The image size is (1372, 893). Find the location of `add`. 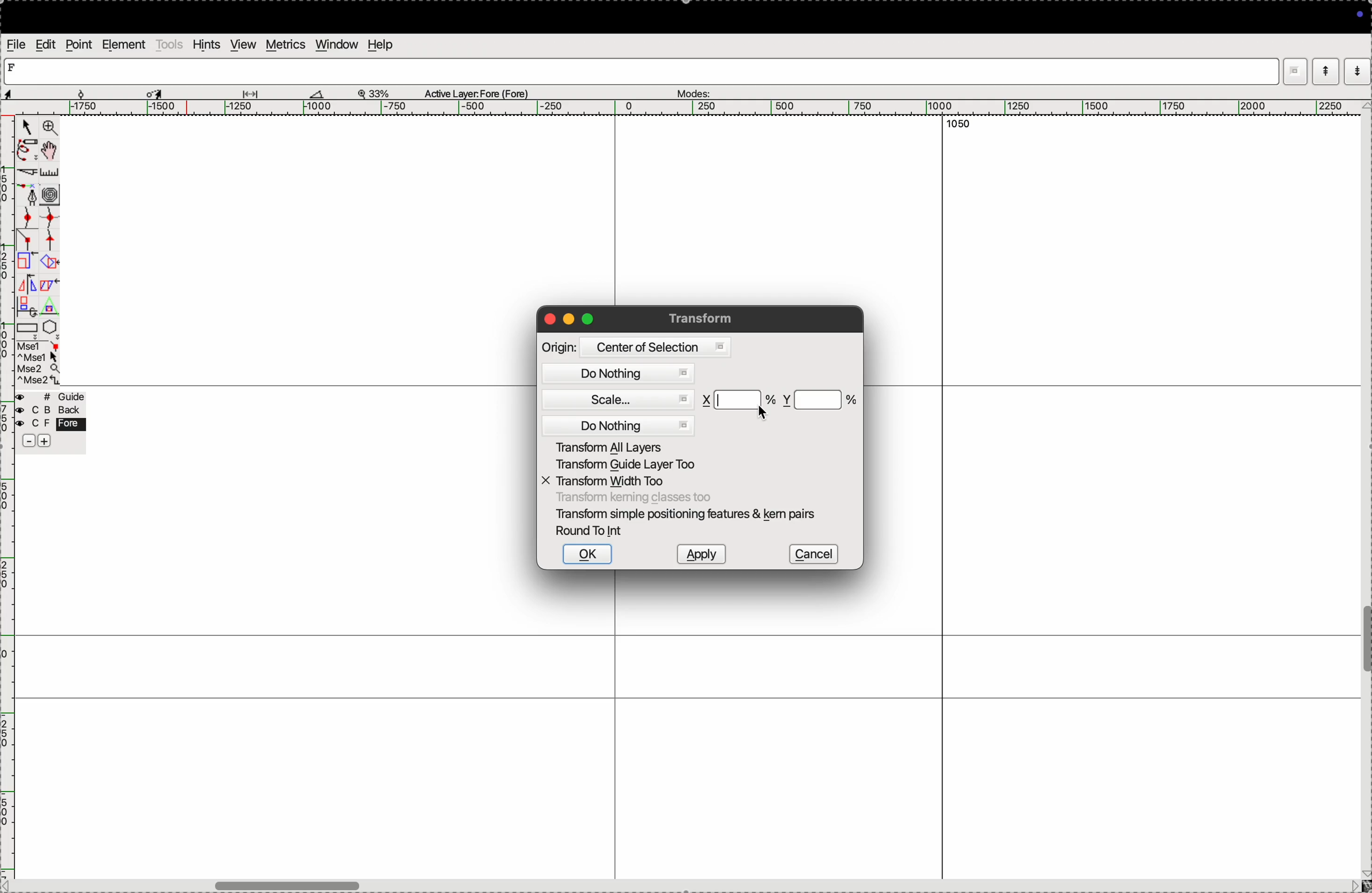

add is located at coordinates (46, 443).